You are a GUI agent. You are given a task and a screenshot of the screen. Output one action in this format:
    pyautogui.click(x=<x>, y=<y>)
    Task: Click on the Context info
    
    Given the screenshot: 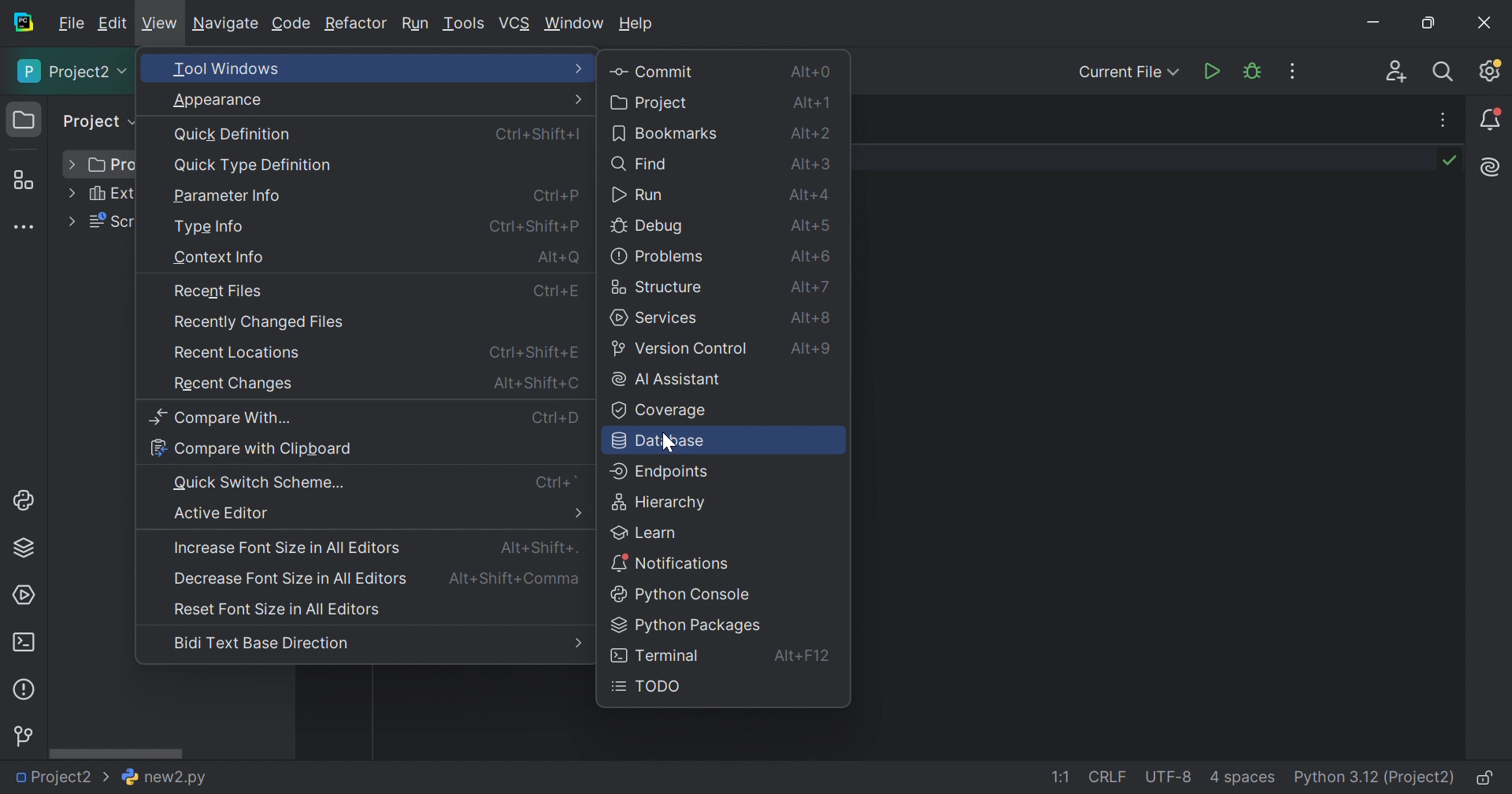 What is the action you would take?
    pyautogui.click(x=217, y=258)
    